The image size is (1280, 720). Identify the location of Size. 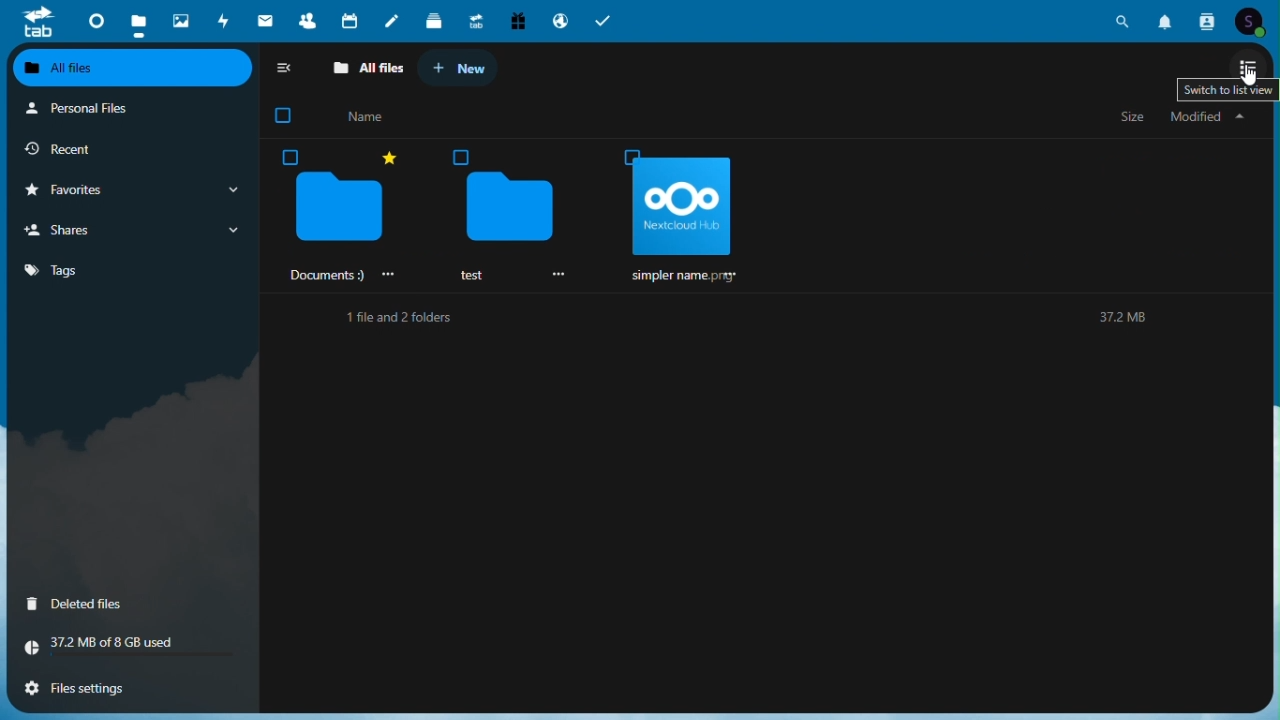
(1133, 118).